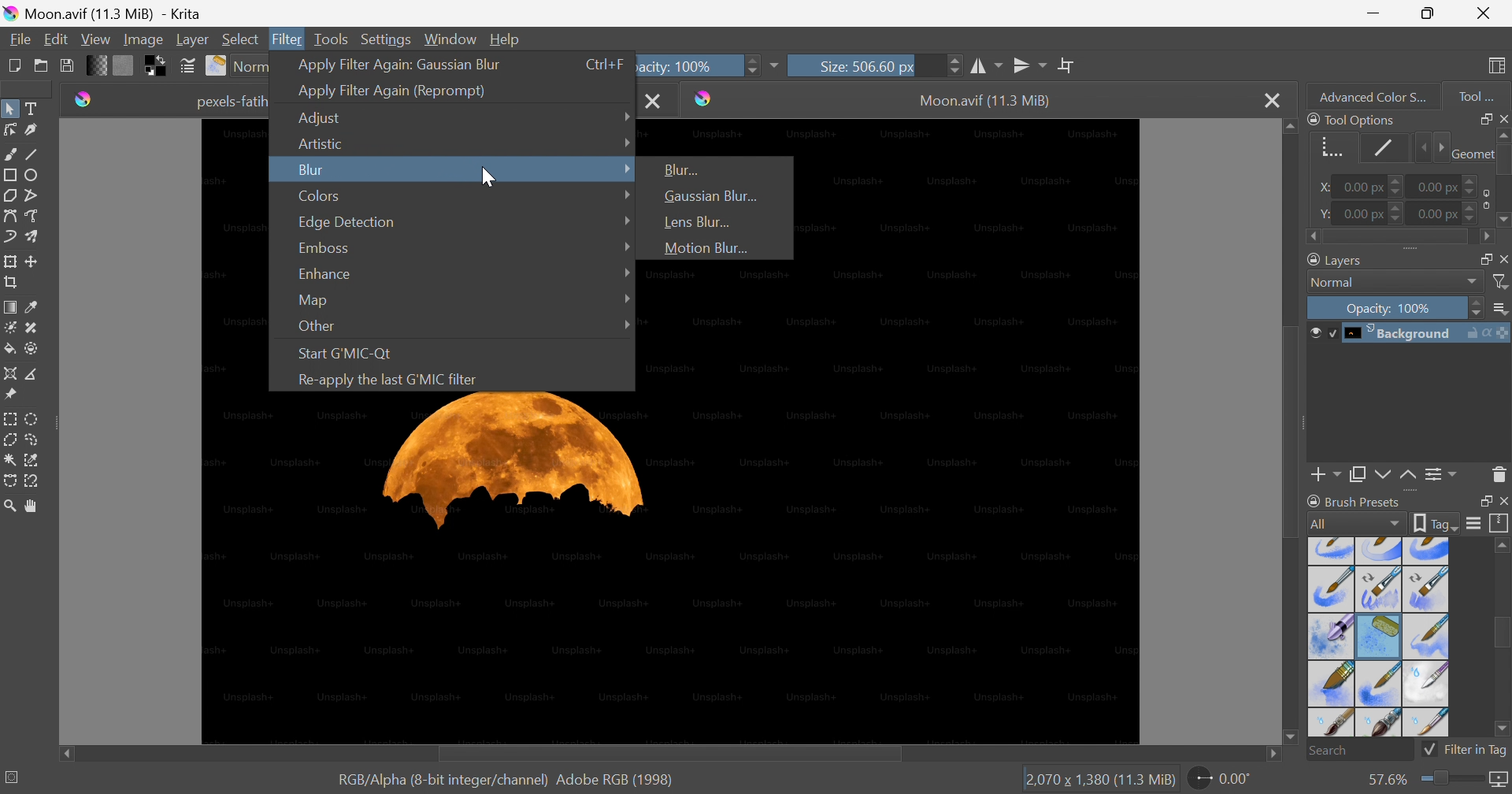  What do you see at coordinates (1449, 184) in the screenshot?
I see `0.00 px` at bounding box center [1449, 184].